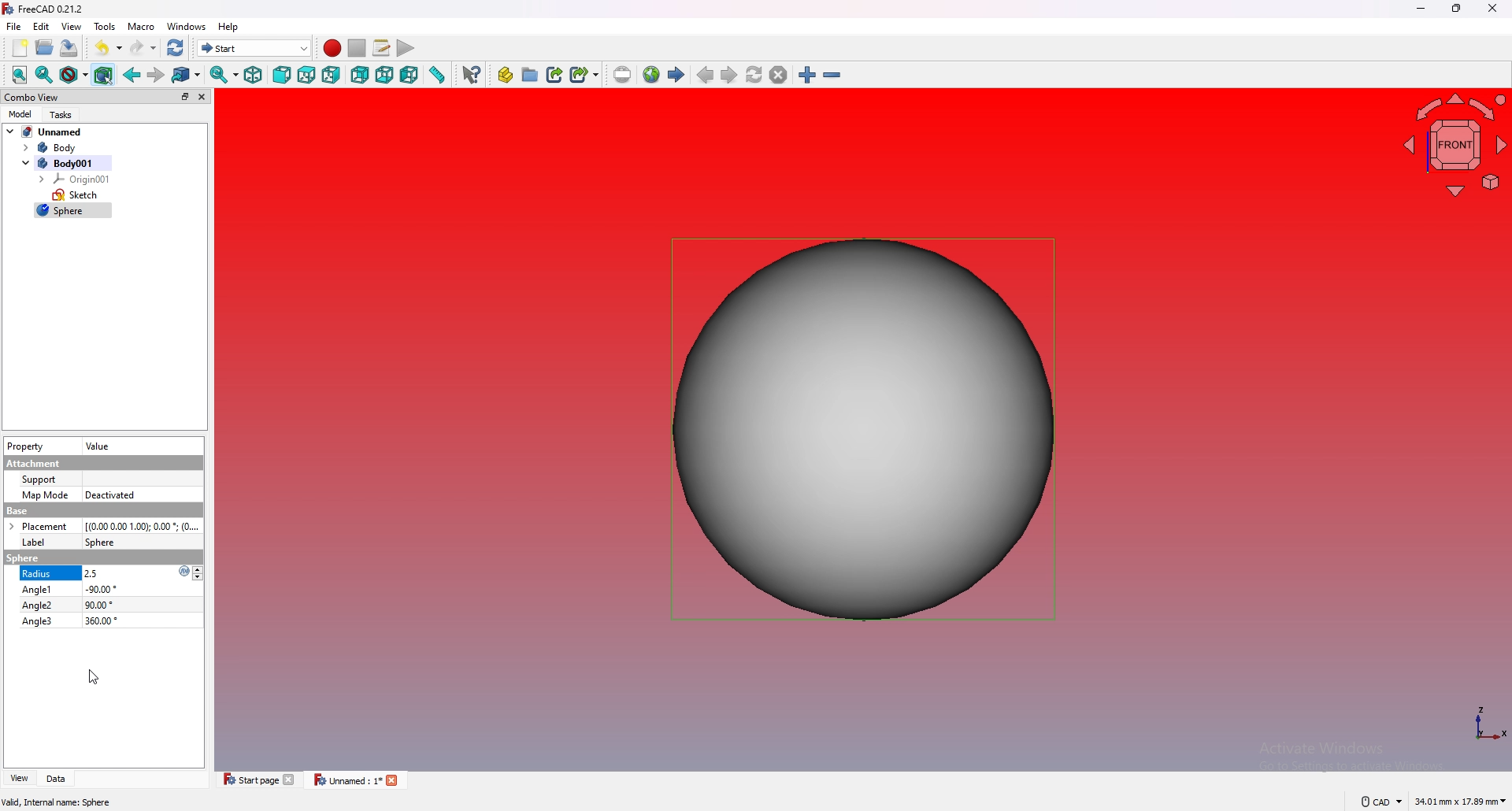 Image resolution: width=1512 pixels, height=811 pixels. Describe the element at coordinates (180, 572) in the screenshot. I see `logo` at that location.